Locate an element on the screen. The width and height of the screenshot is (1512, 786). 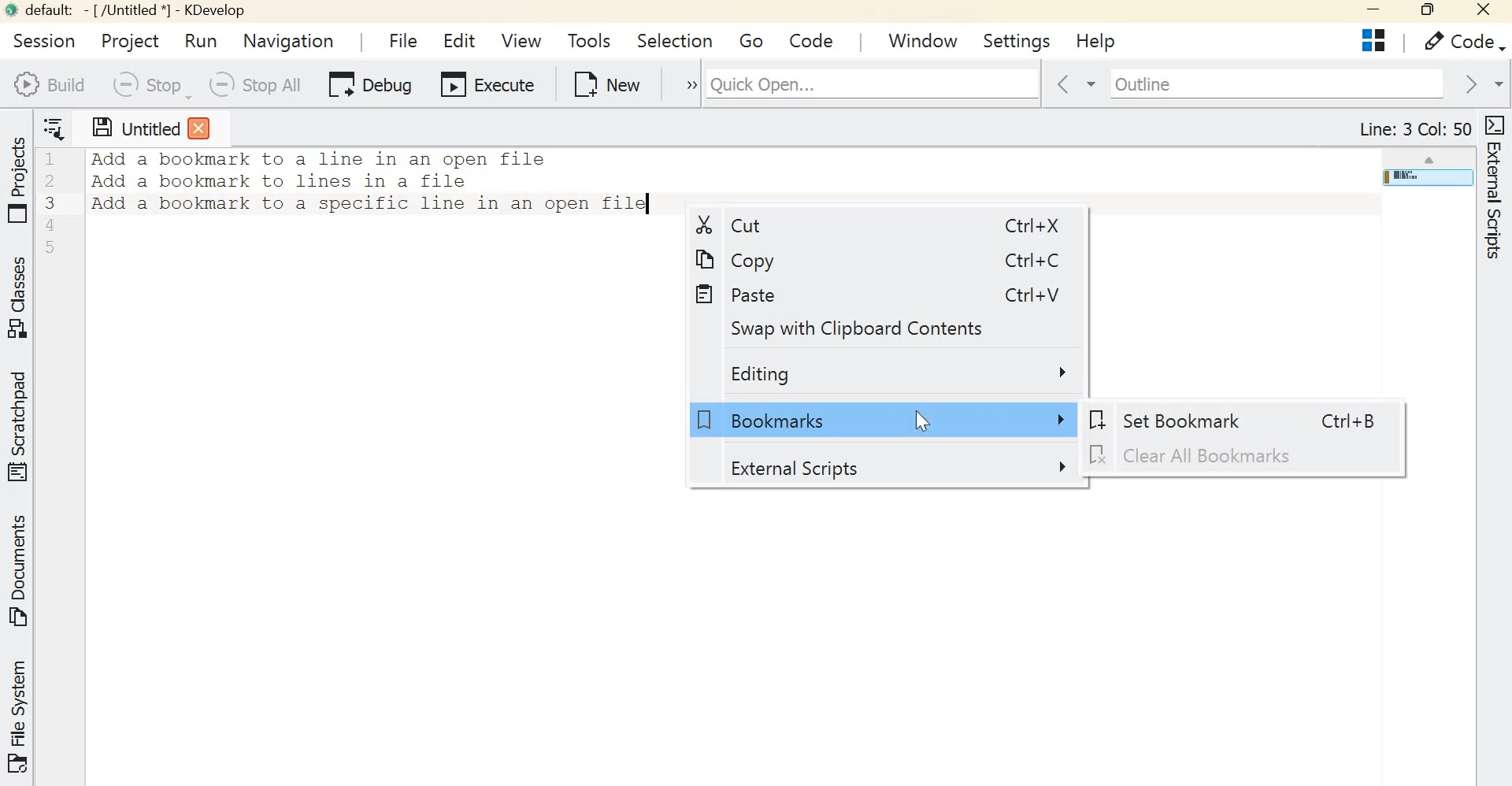
View is located at coordinates (521, 39).